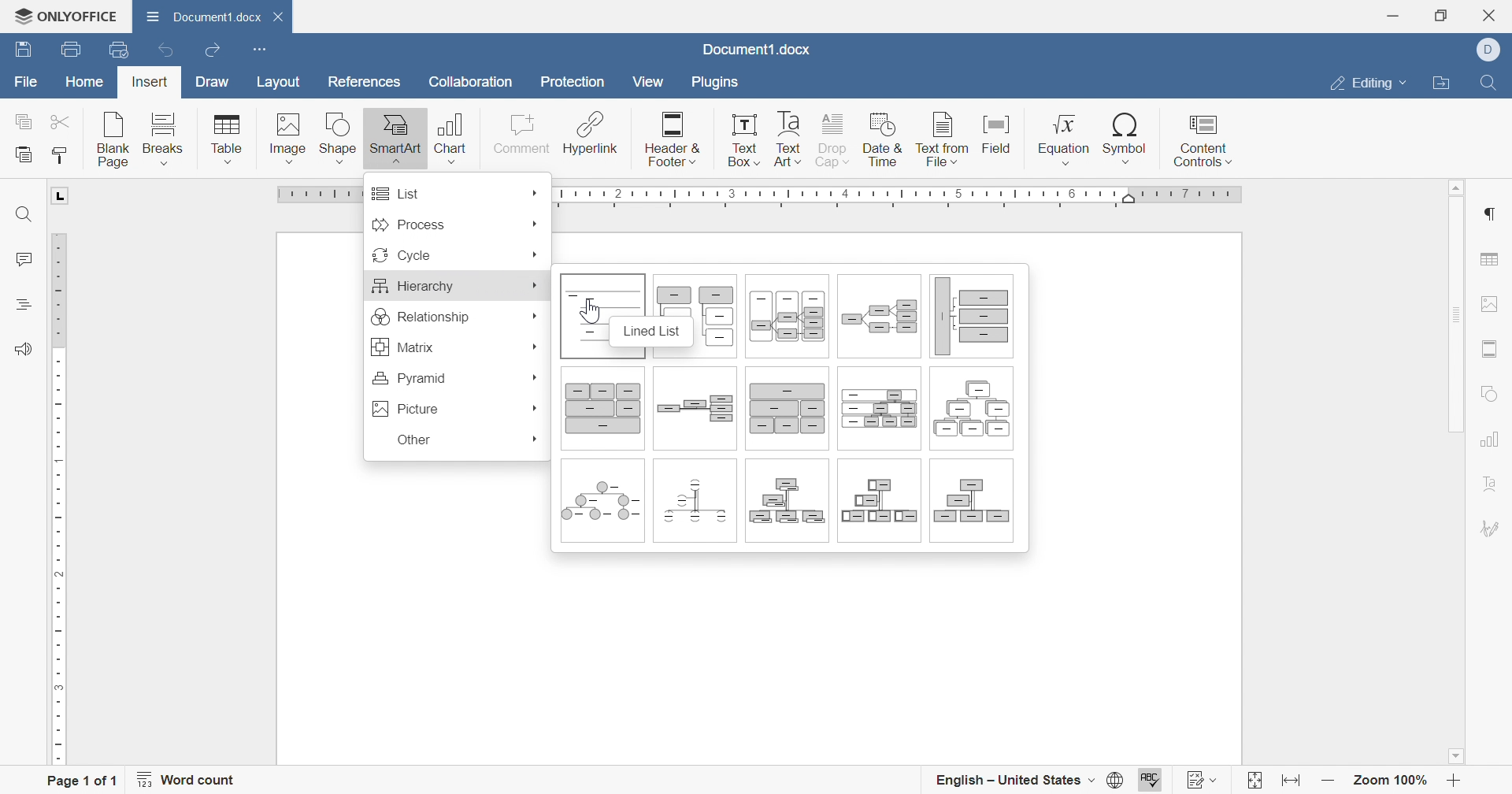 The height and width of the screenshot is (794, 1512). I want to click on Restore down, so click(1440, 16).